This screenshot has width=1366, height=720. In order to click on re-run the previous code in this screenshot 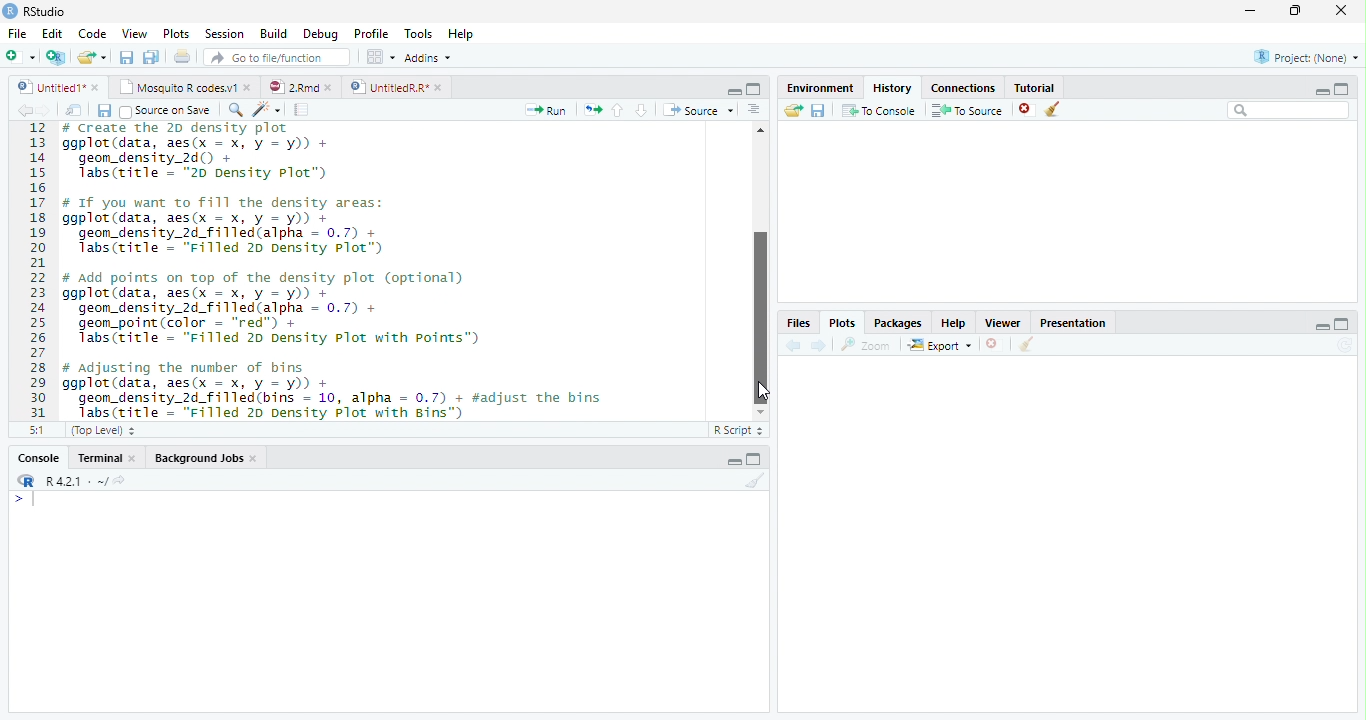, I will do `click(592, 109)`.